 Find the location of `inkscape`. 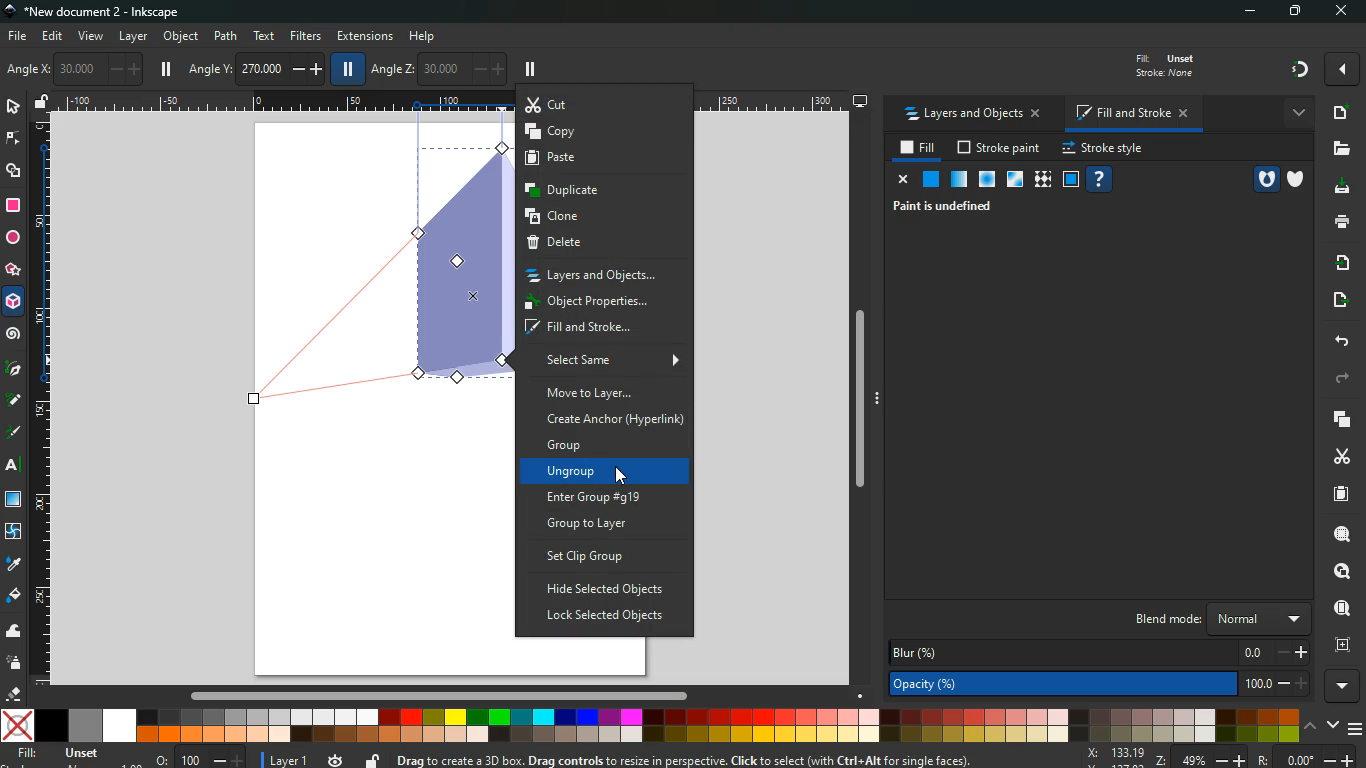

inkscape is located at coordinates (98, 13).